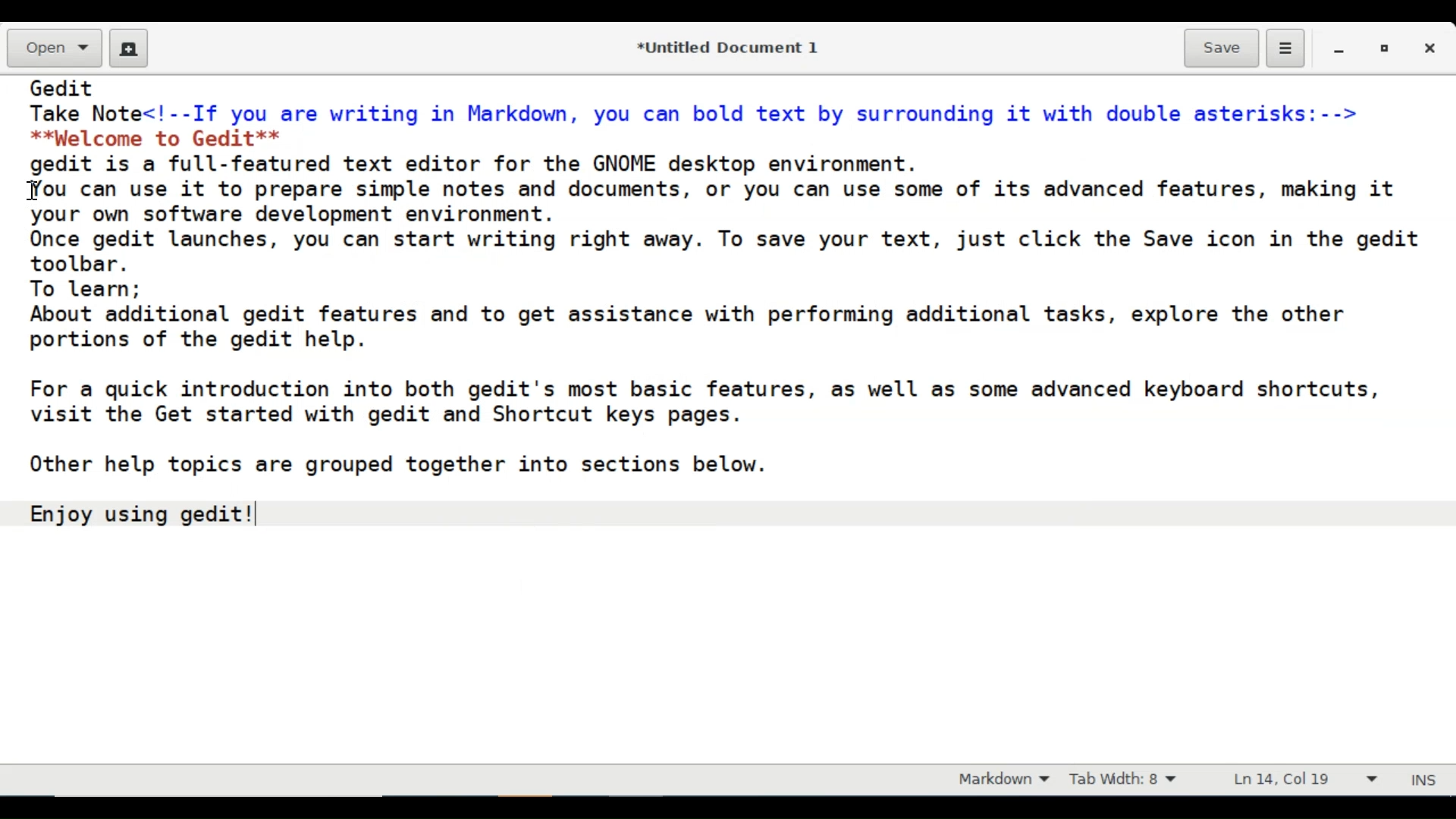 Image resolution: width=1456 pixels, height=819 pixels. I want to click on Close, so click(1432, 48).